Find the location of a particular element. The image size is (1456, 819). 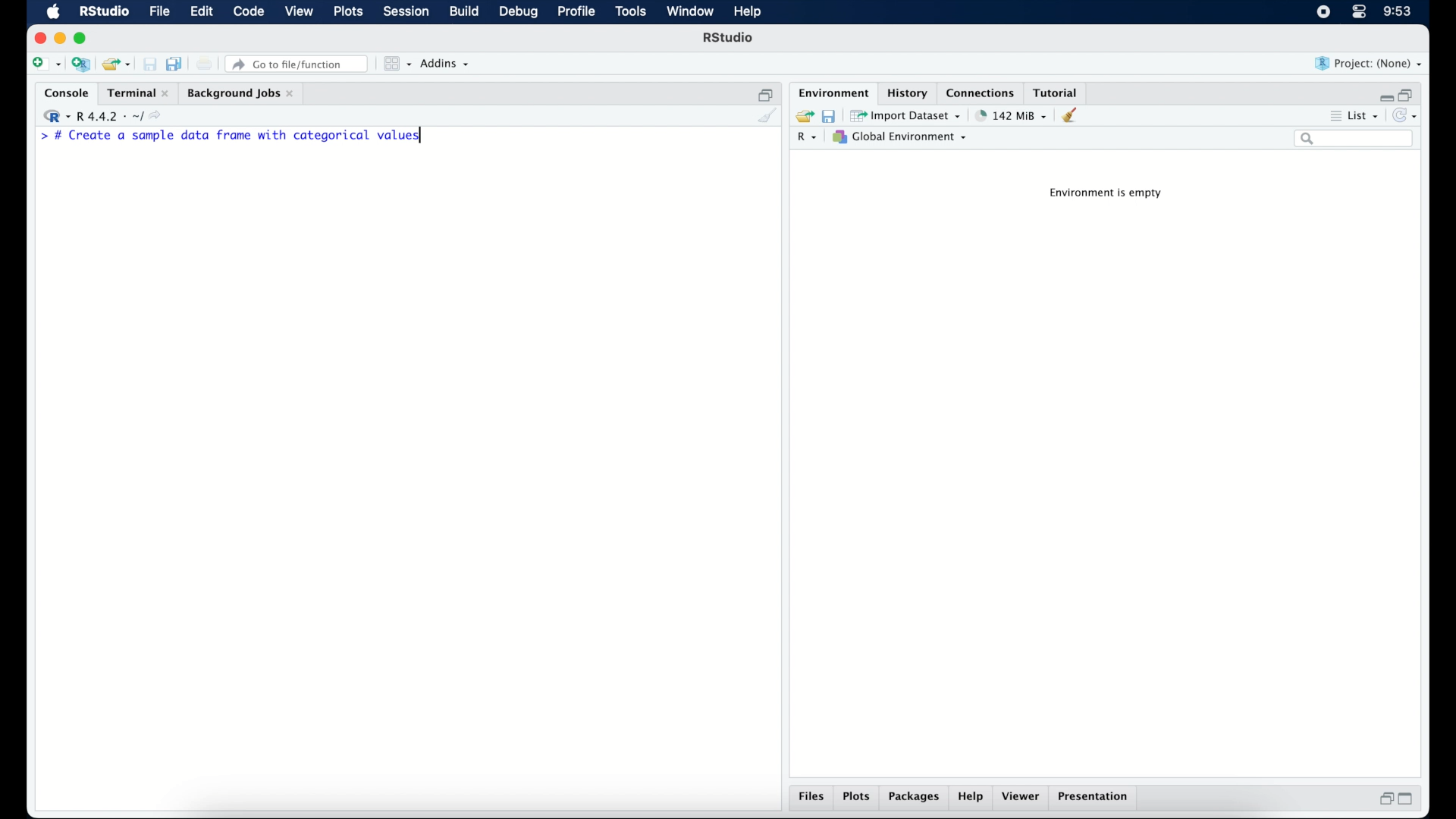

tutorial is located at coordinates (1059, 92).